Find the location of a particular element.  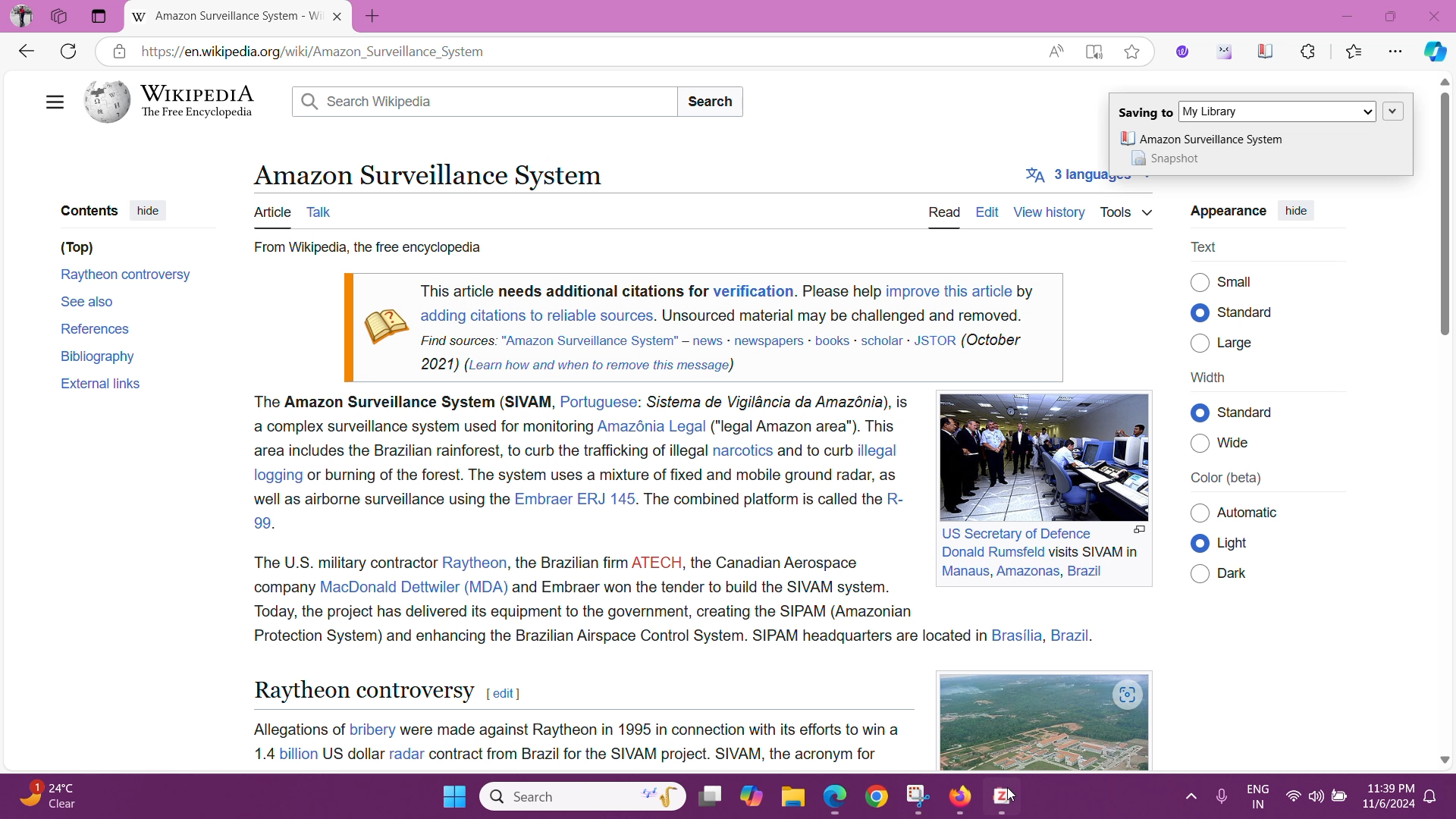

Amazon Surveillance System is located at coordinates (426, 174).